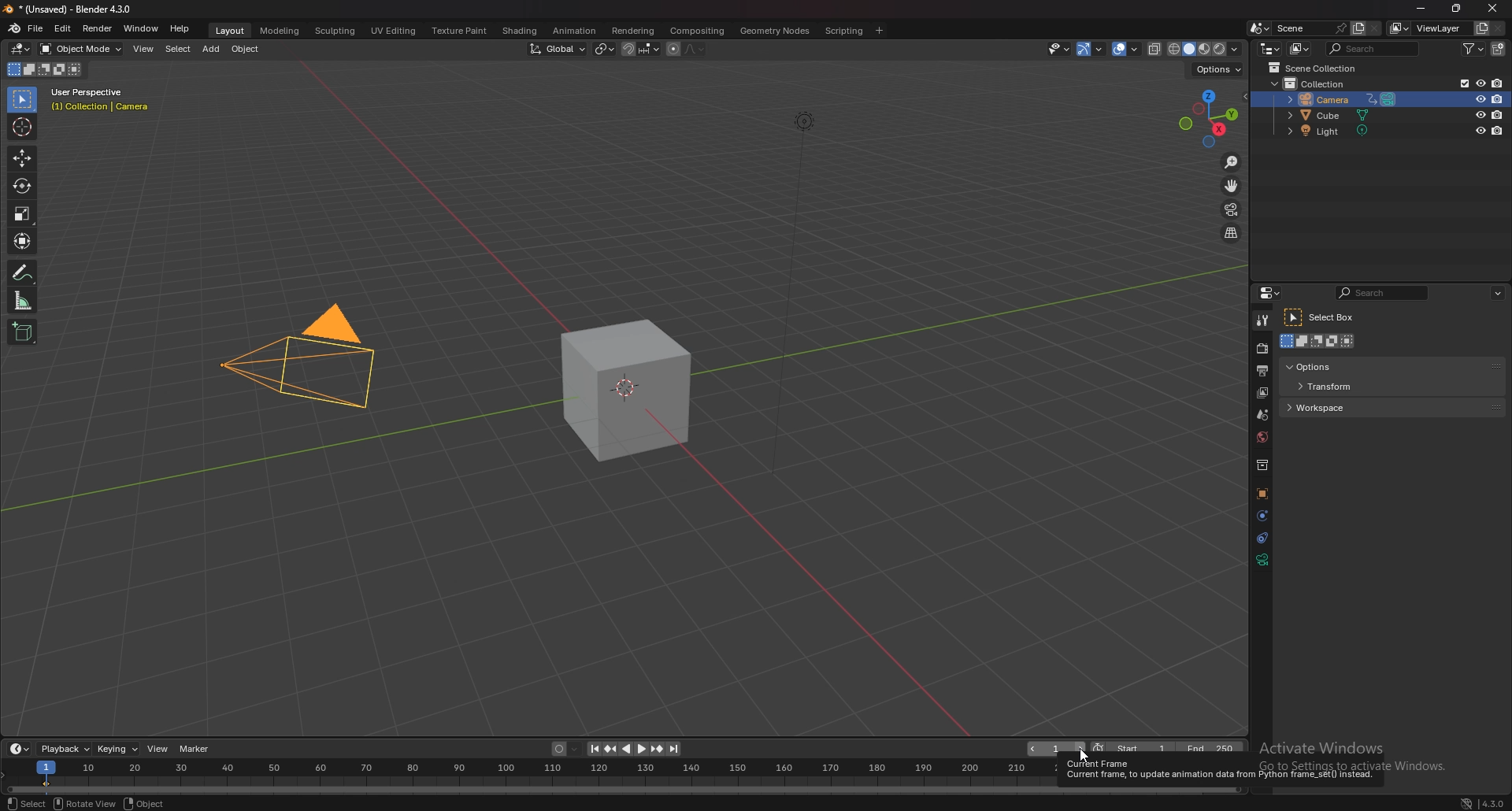 This screenshot has height=811, width=1512. What do you see at coordinates (1212, 749) in the screenshot?
I see `end` at bounding box center [1212, 749].